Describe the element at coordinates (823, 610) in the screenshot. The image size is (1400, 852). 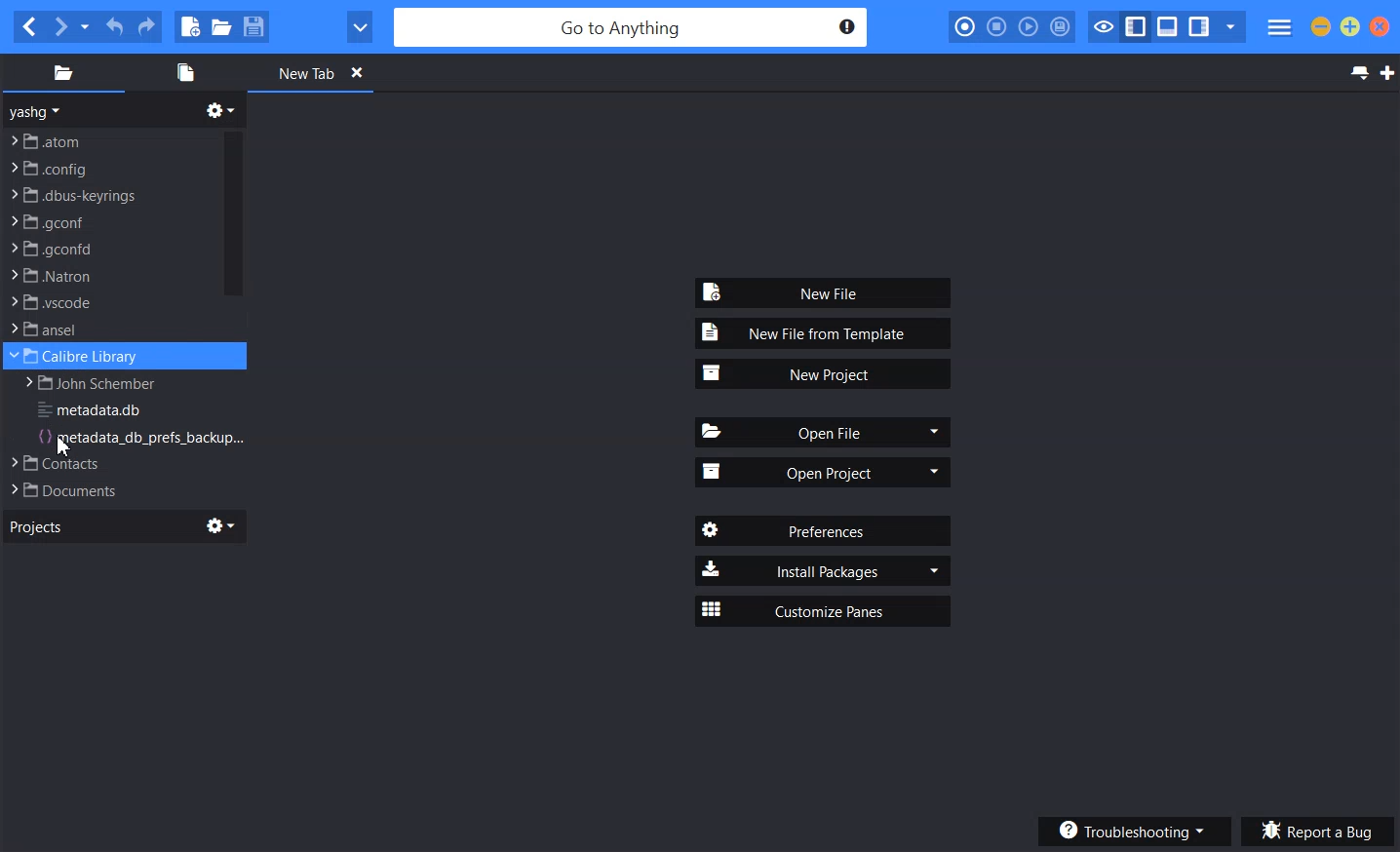
I see `Customize Panes` at that location.